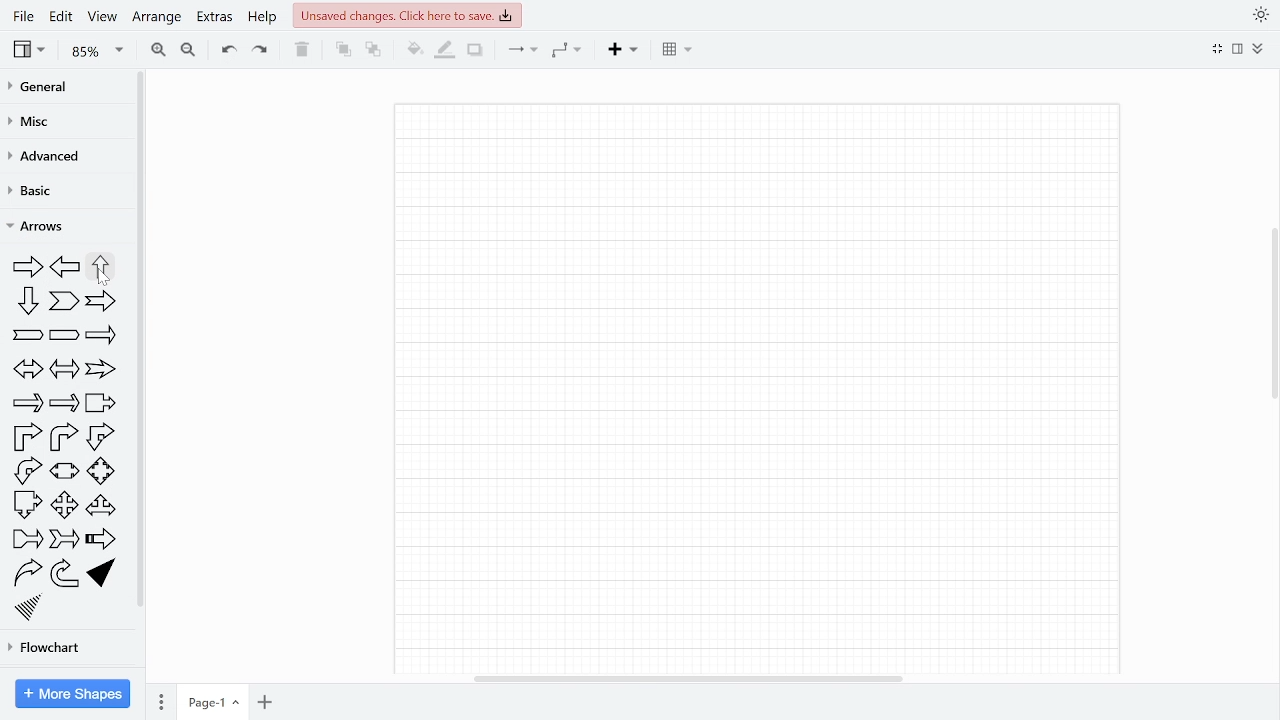 Image resolution: width=1280 pixels, height=720 pixels. Describe the element at coordinates (1218, 49) in the screenshot. I see `Minimize` at that location.